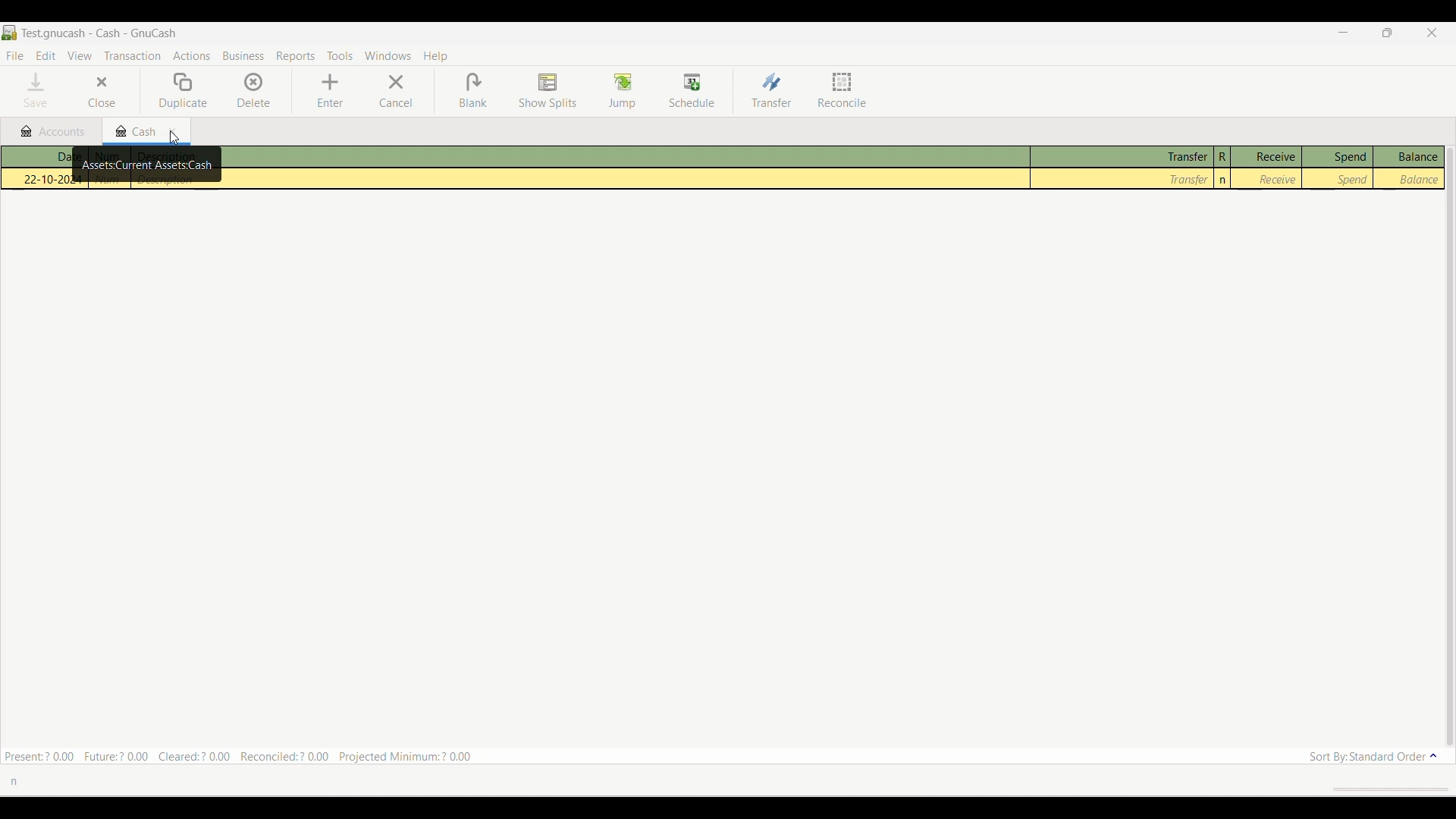 The image size is (1456, 819). What do you see at coordinates (1223, 157) in the screenshot?
I see `R column` at bounding box center [1223, 157].